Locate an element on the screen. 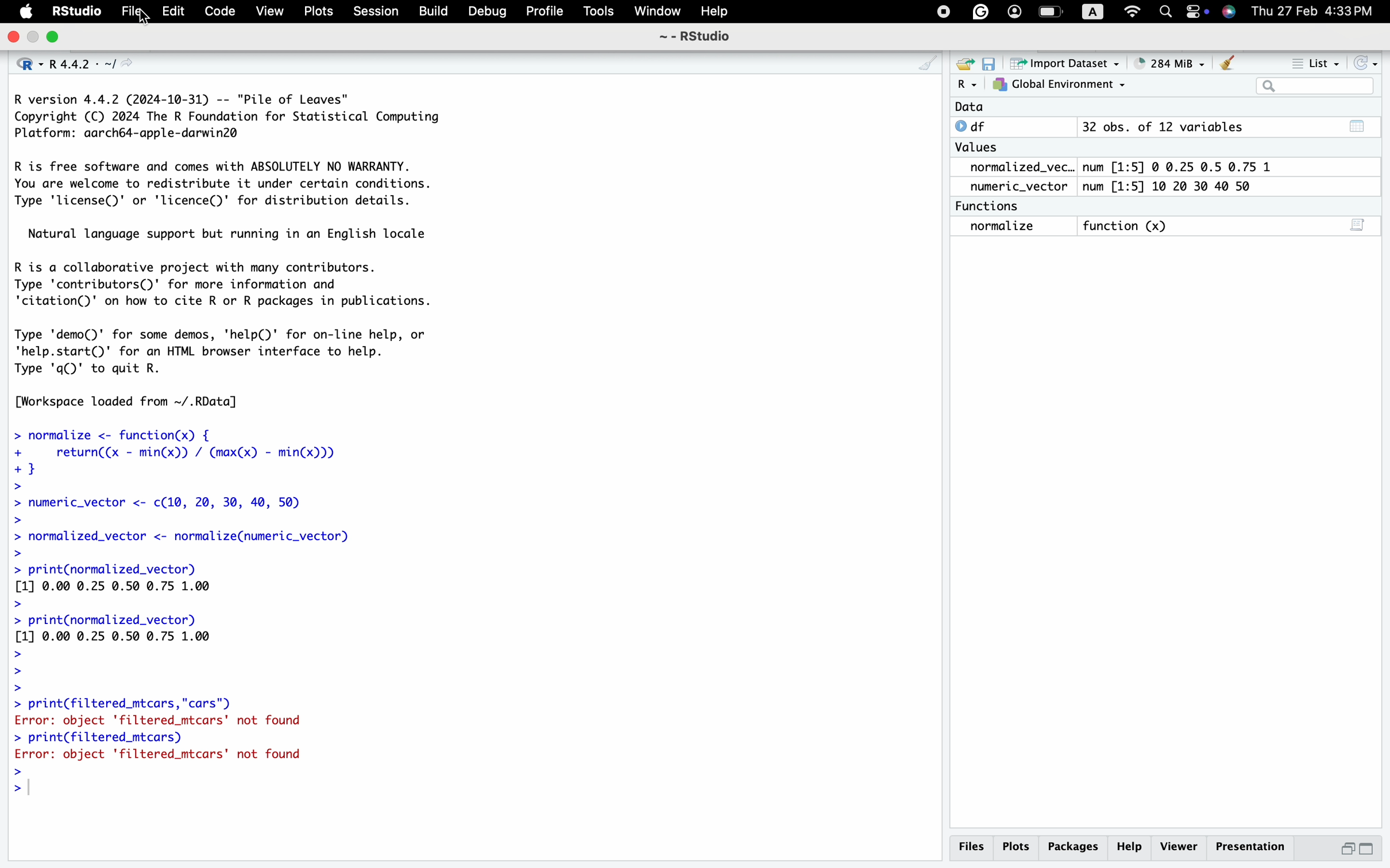   284 MiB  is located at coordinates (1164, 61).